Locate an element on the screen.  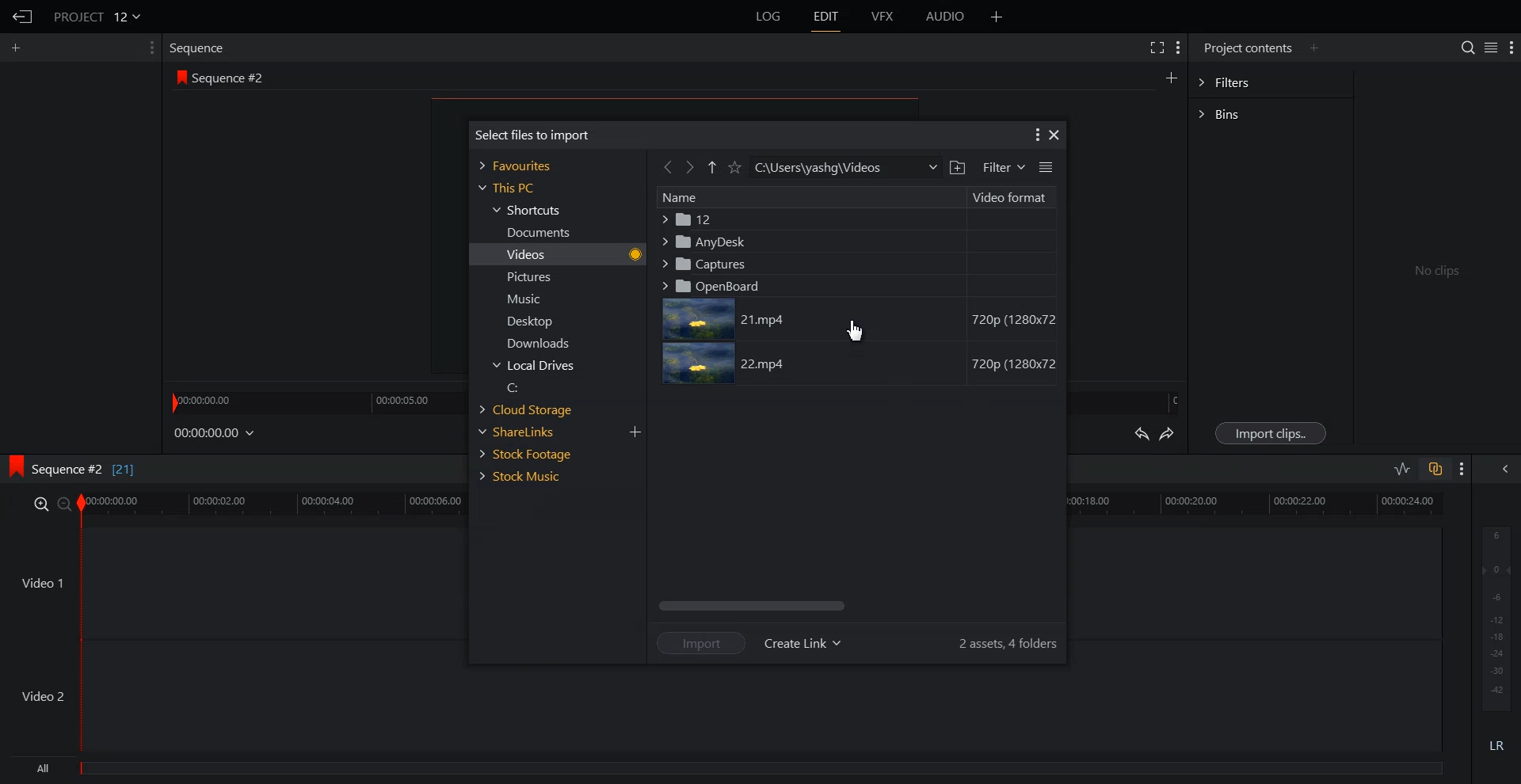
AUDIO is located at coordinates (946, 17).